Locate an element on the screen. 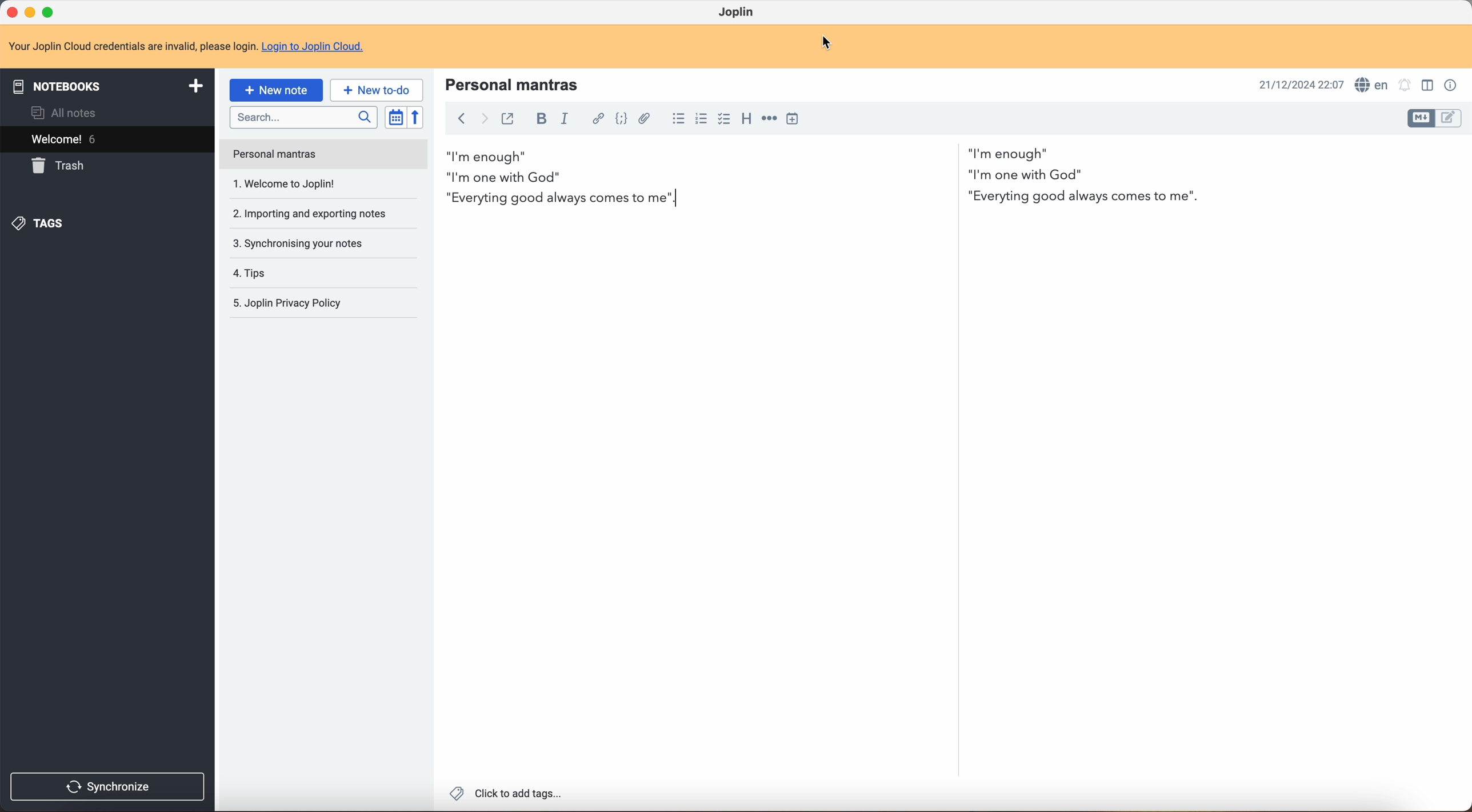  notebooks is located at coordinates (107, 85).